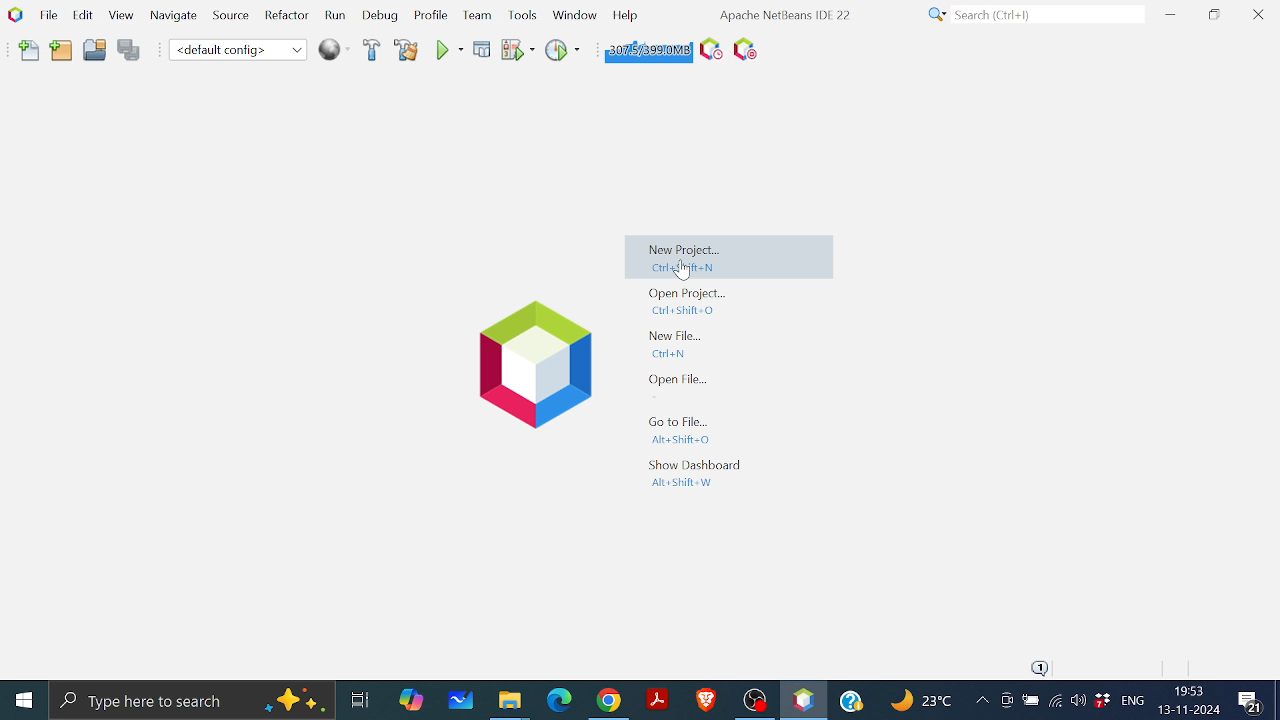  I want to click on File, so click(46, 15).